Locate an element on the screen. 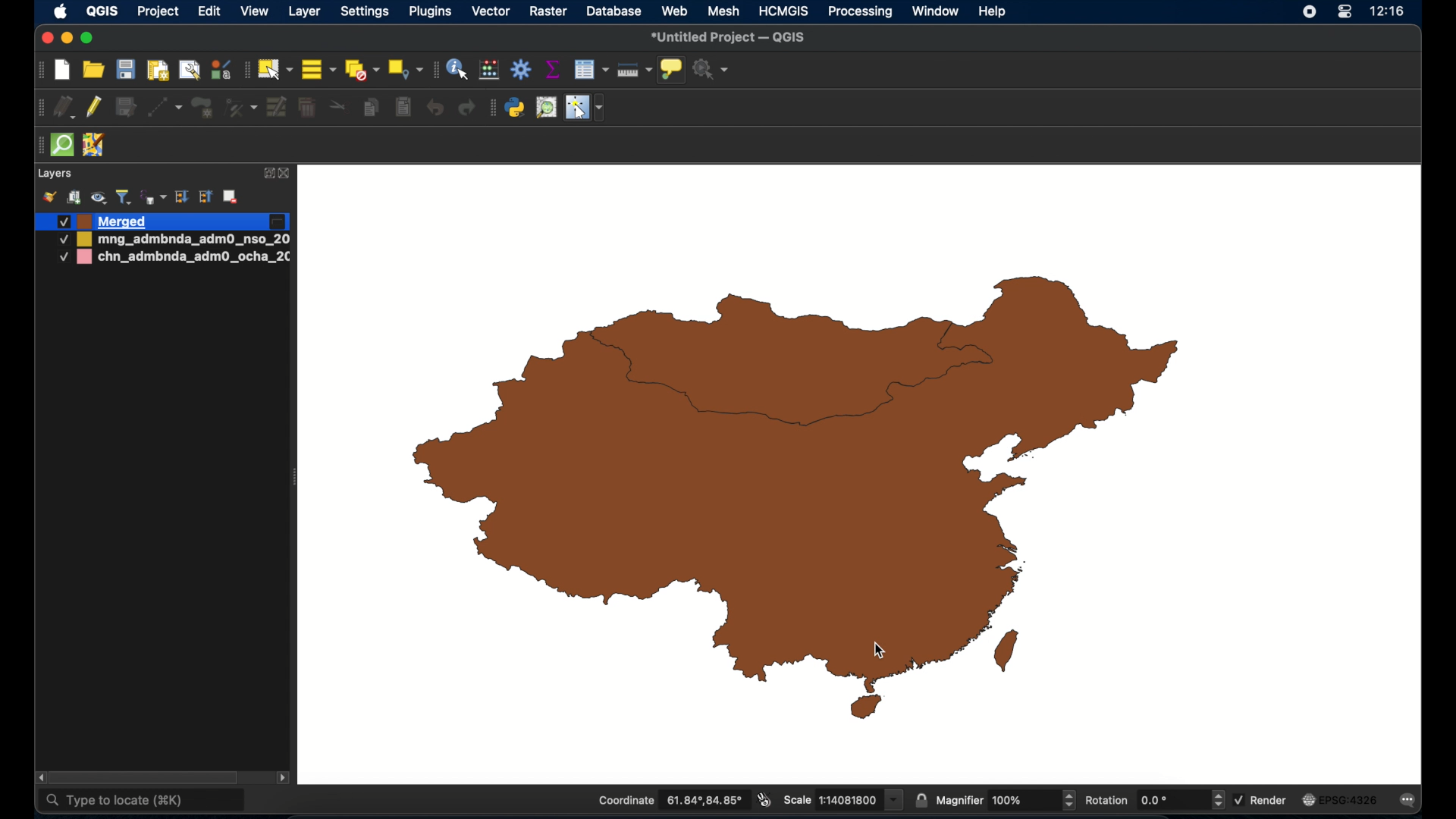 The height and width of the screenshot is (819, 1456). EPSG:4326 is located at coordinates (1340, 801).